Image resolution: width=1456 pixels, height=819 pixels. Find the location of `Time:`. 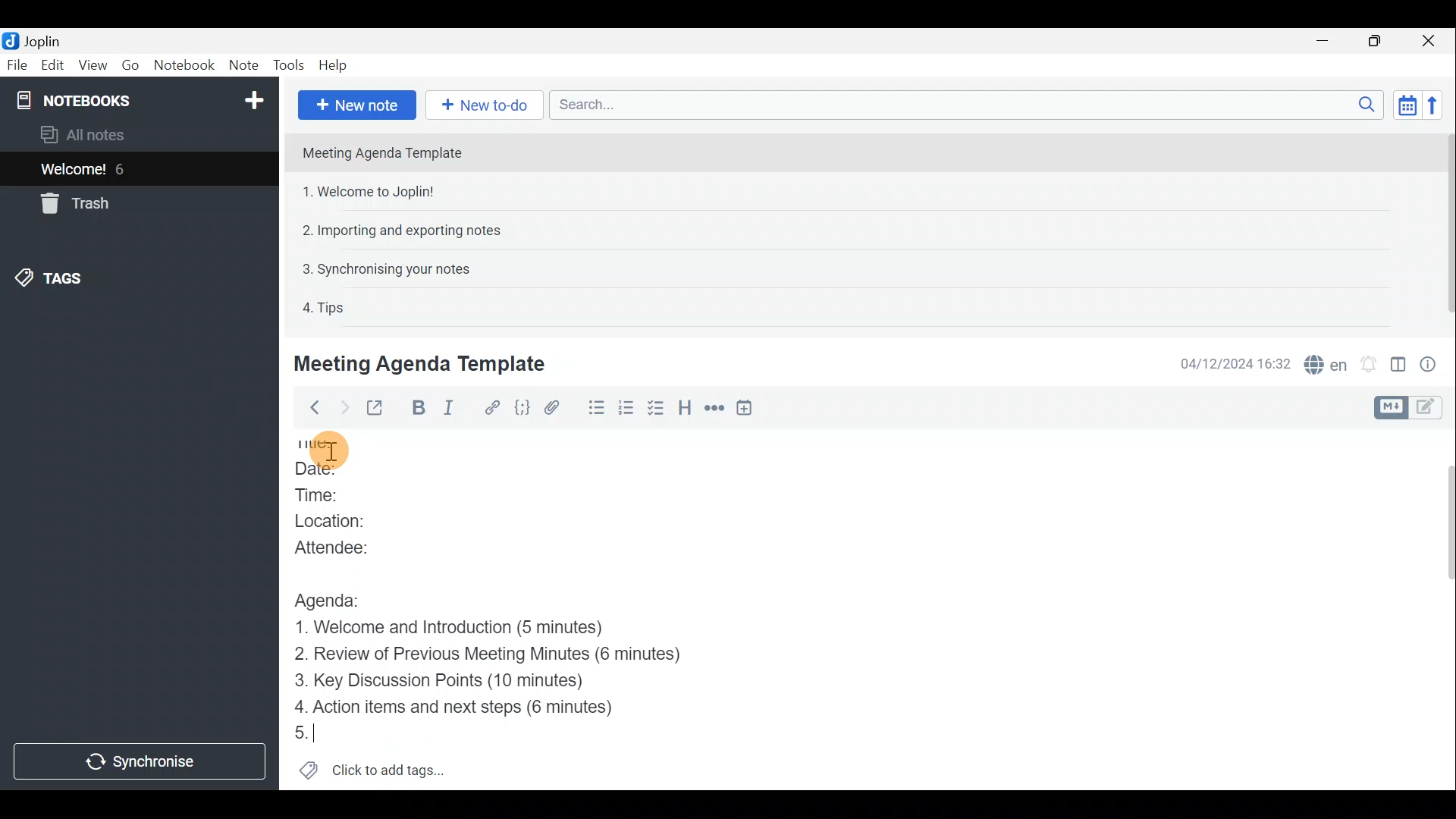

Time: is located at coordinates (325, 495).